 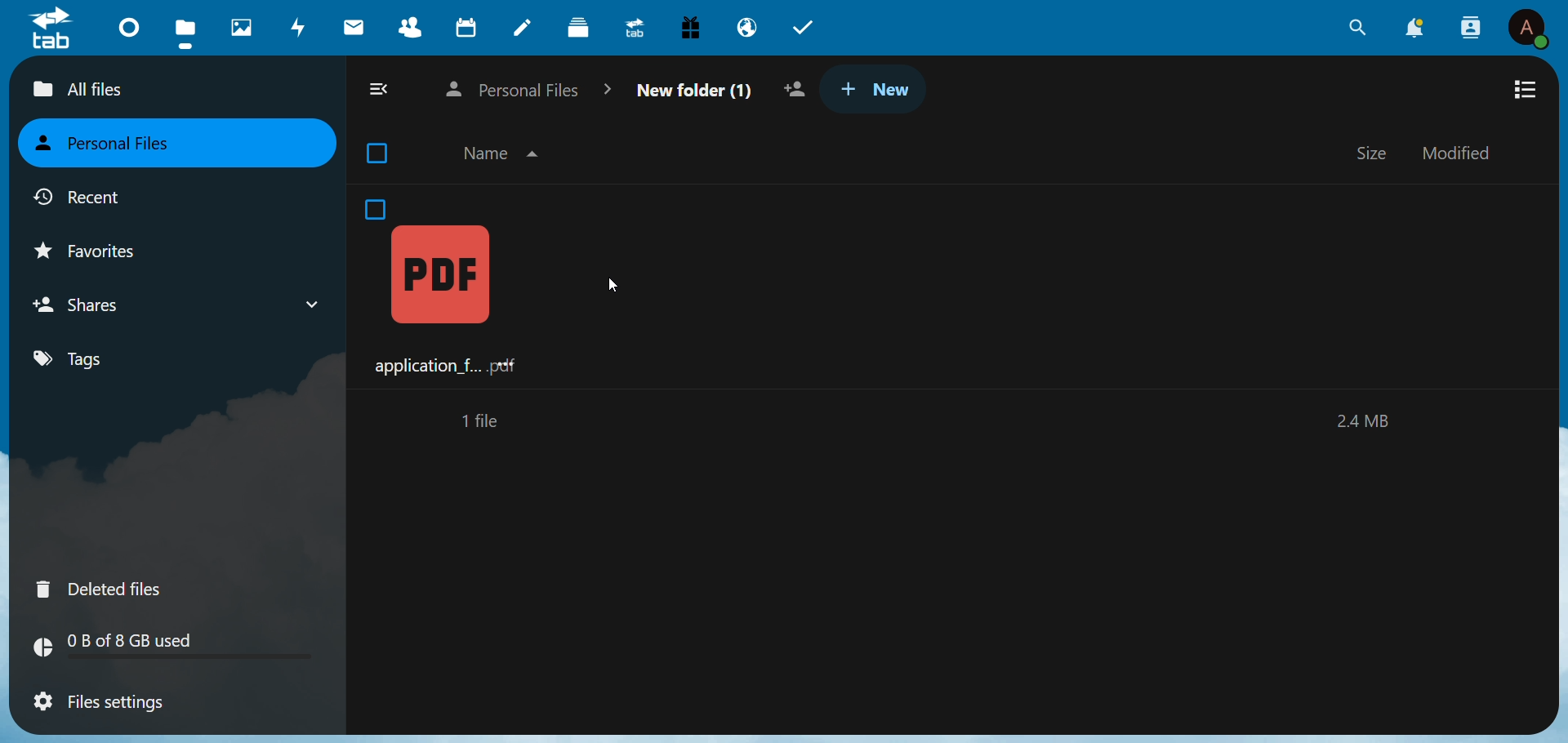 What do you see at coordinates (300, 26) in the screenshot?
I see `actiivity` at bounding box center [300, 26].